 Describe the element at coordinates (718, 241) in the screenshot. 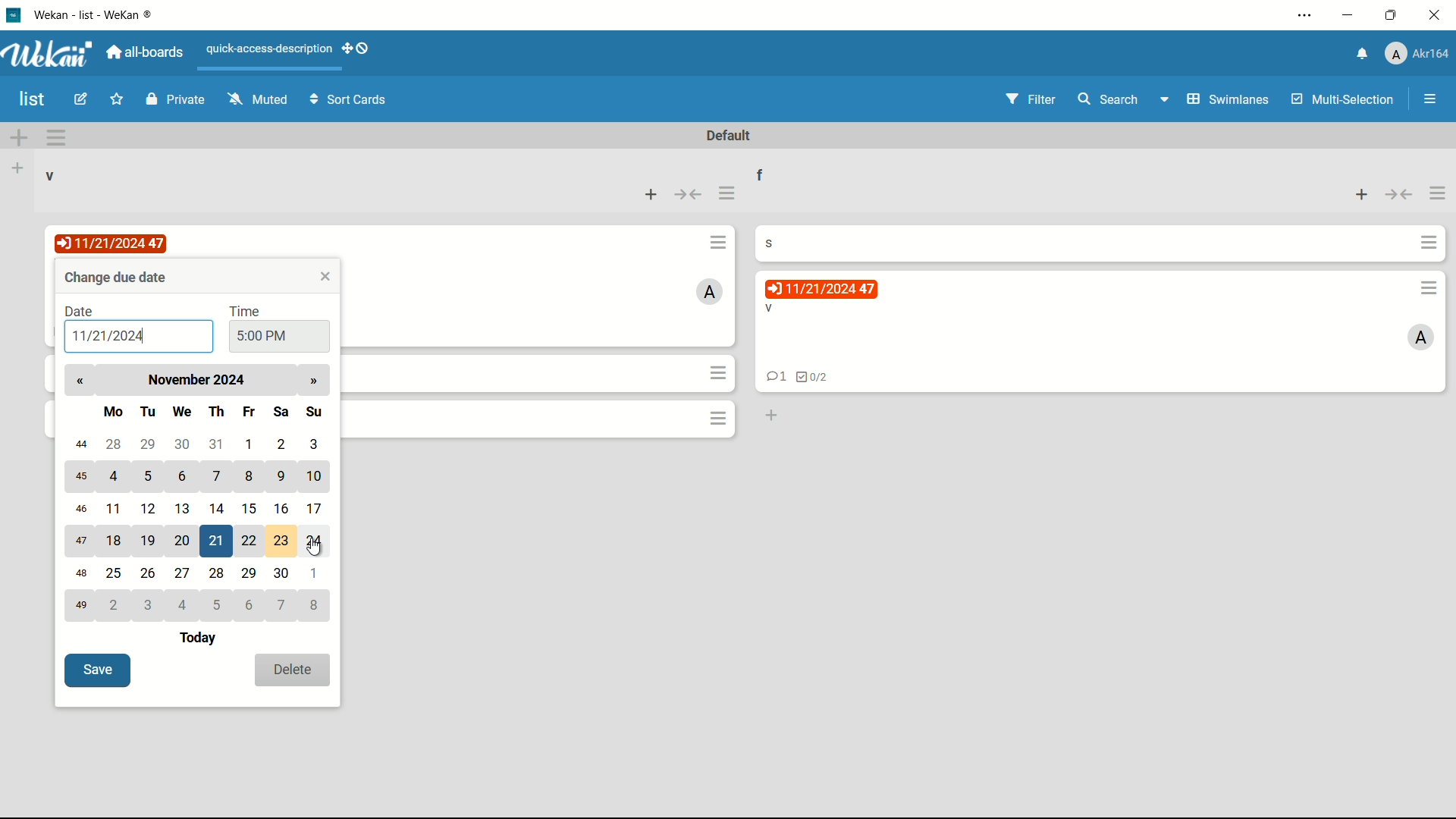

I see `card actions` at that location.